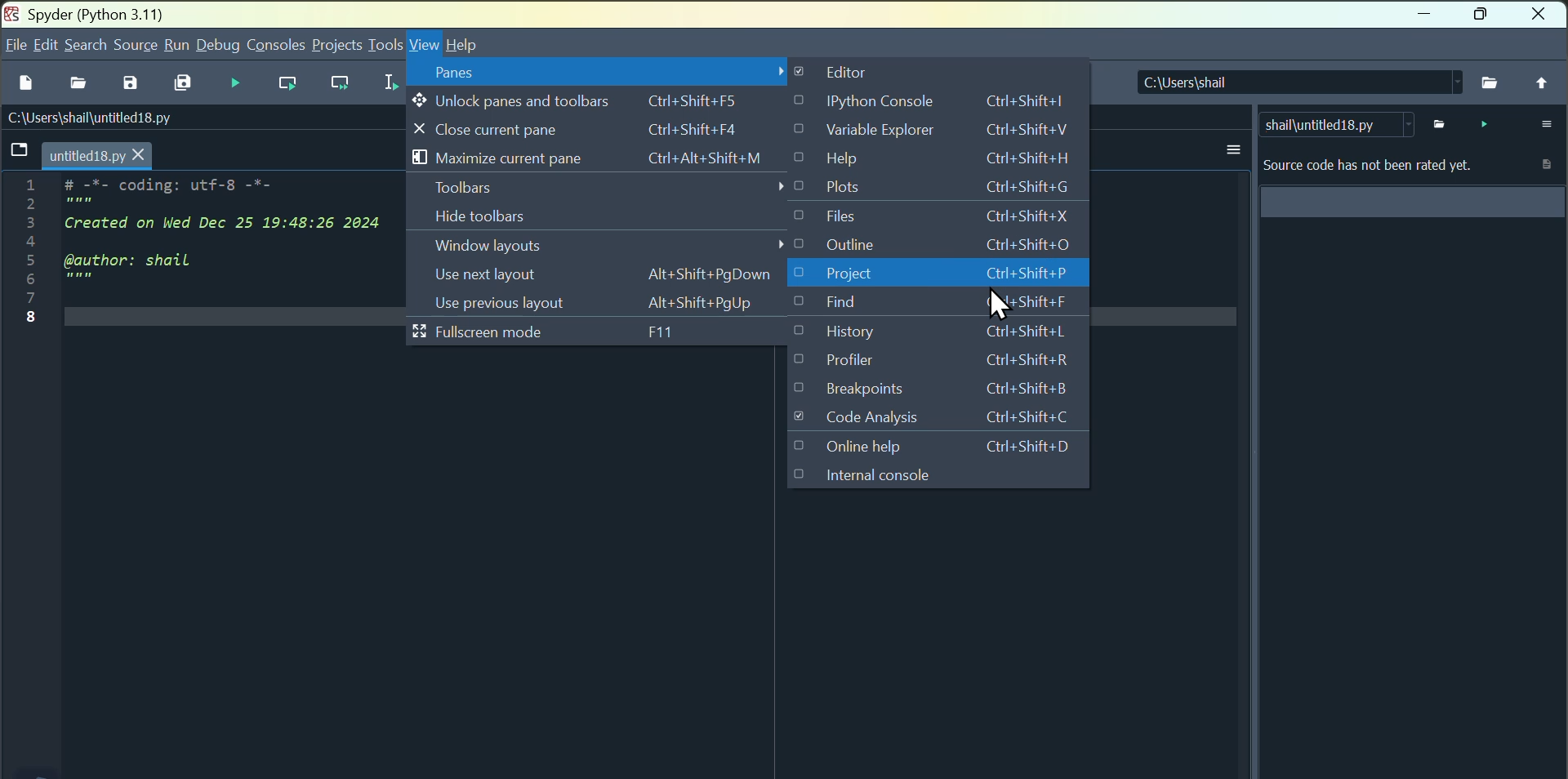  I want to click on Run selection, so click(390, 85).